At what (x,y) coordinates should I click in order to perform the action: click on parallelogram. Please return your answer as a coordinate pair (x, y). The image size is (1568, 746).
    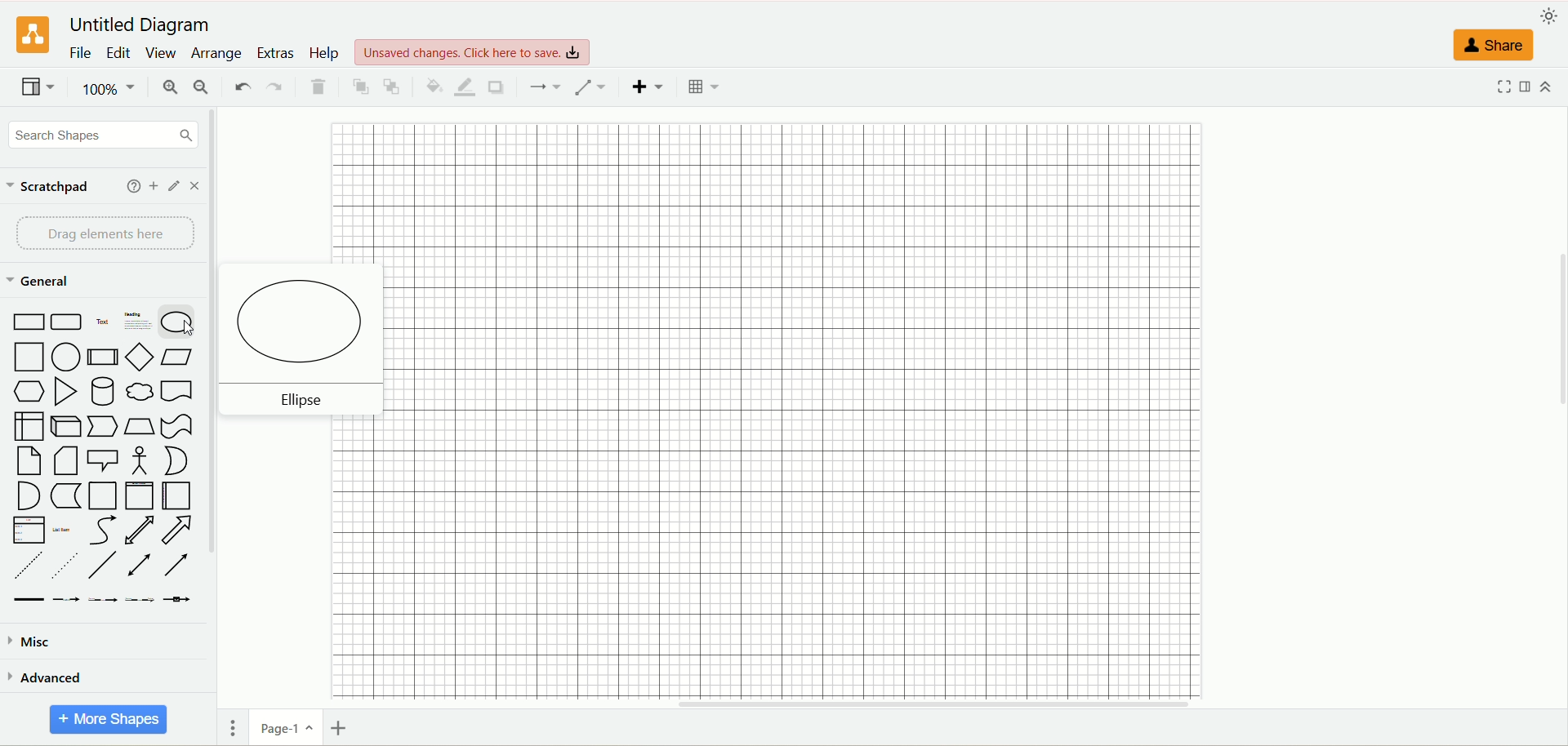
    Looking at the image, I should click on (180, 357).